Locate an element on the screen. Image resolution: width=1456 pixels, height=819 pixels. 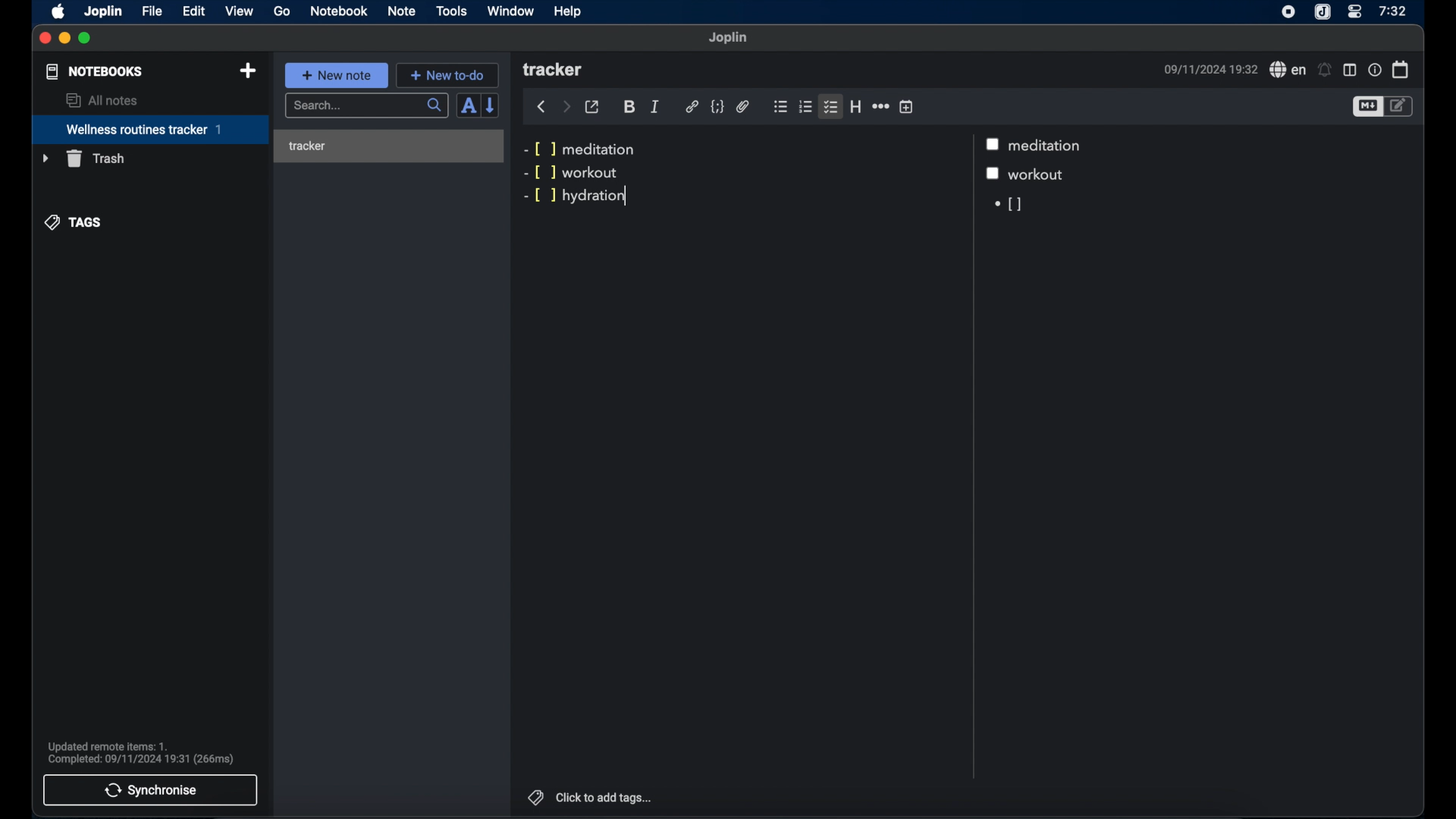
tracker is located at coordinates (391, 146).